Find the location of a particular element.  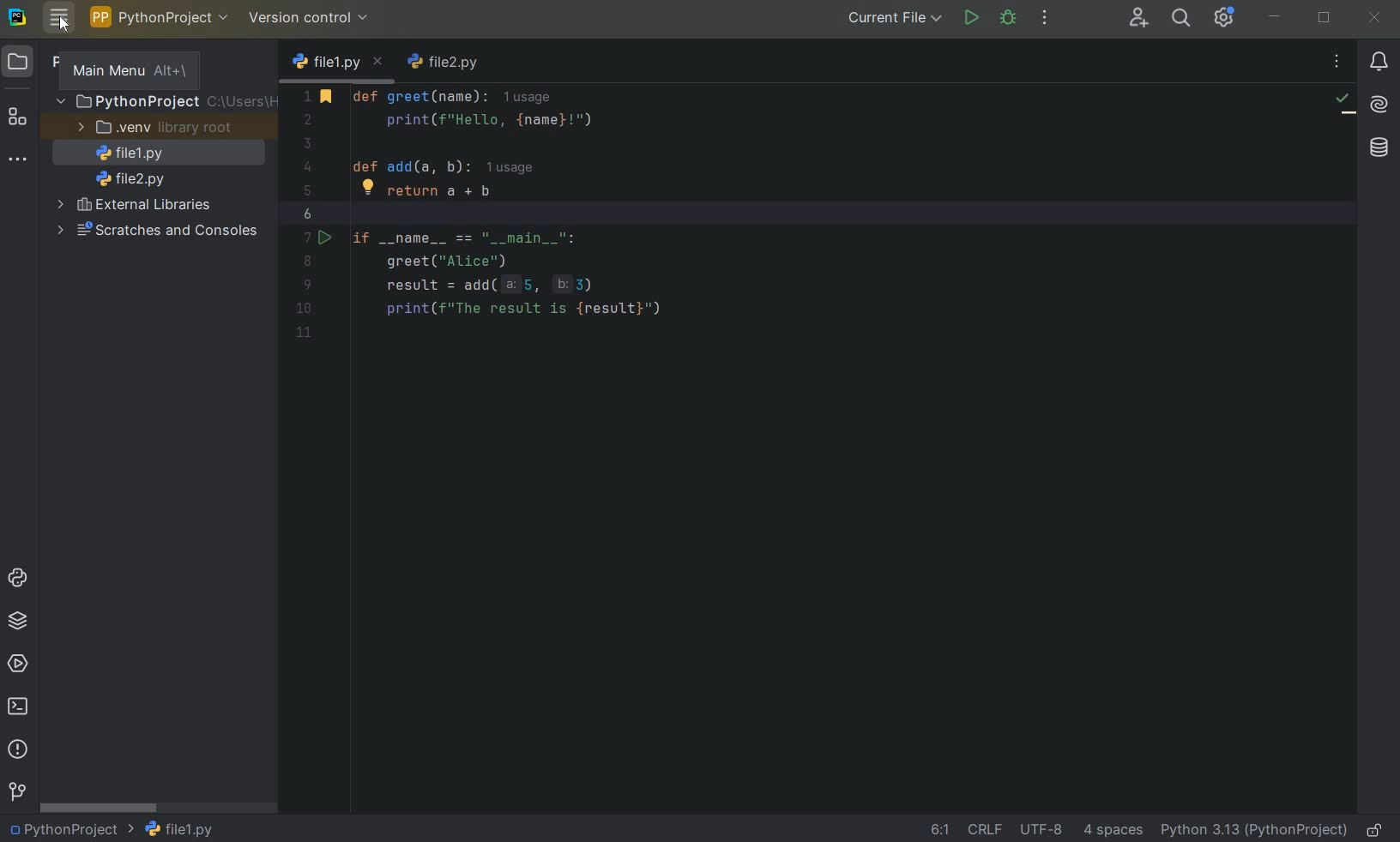

restore down is located at coordinates (1325, 18).